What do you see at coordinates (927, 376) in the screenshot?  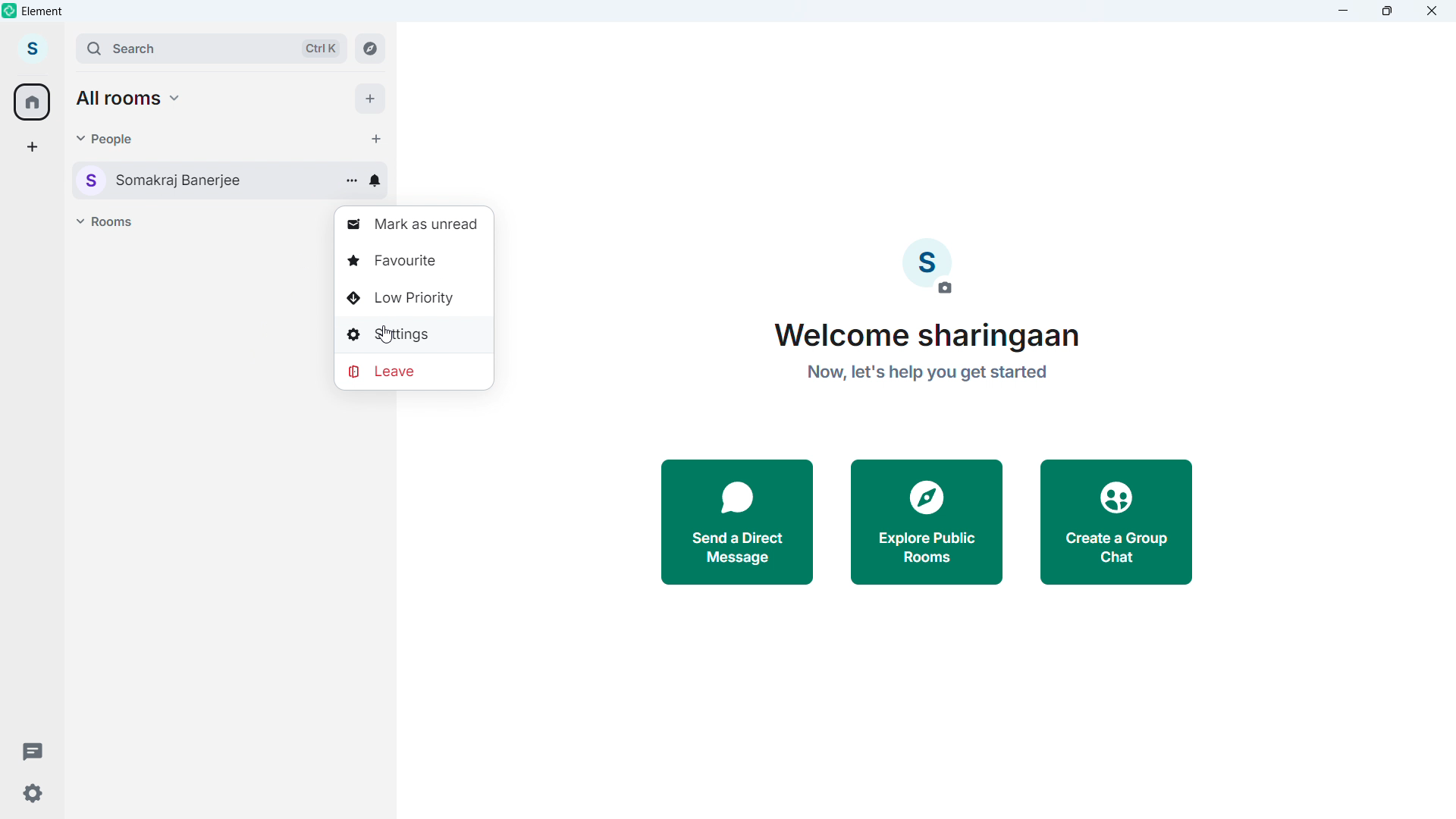 I see `now,let's help you get started` at bounding box center [927, 376].